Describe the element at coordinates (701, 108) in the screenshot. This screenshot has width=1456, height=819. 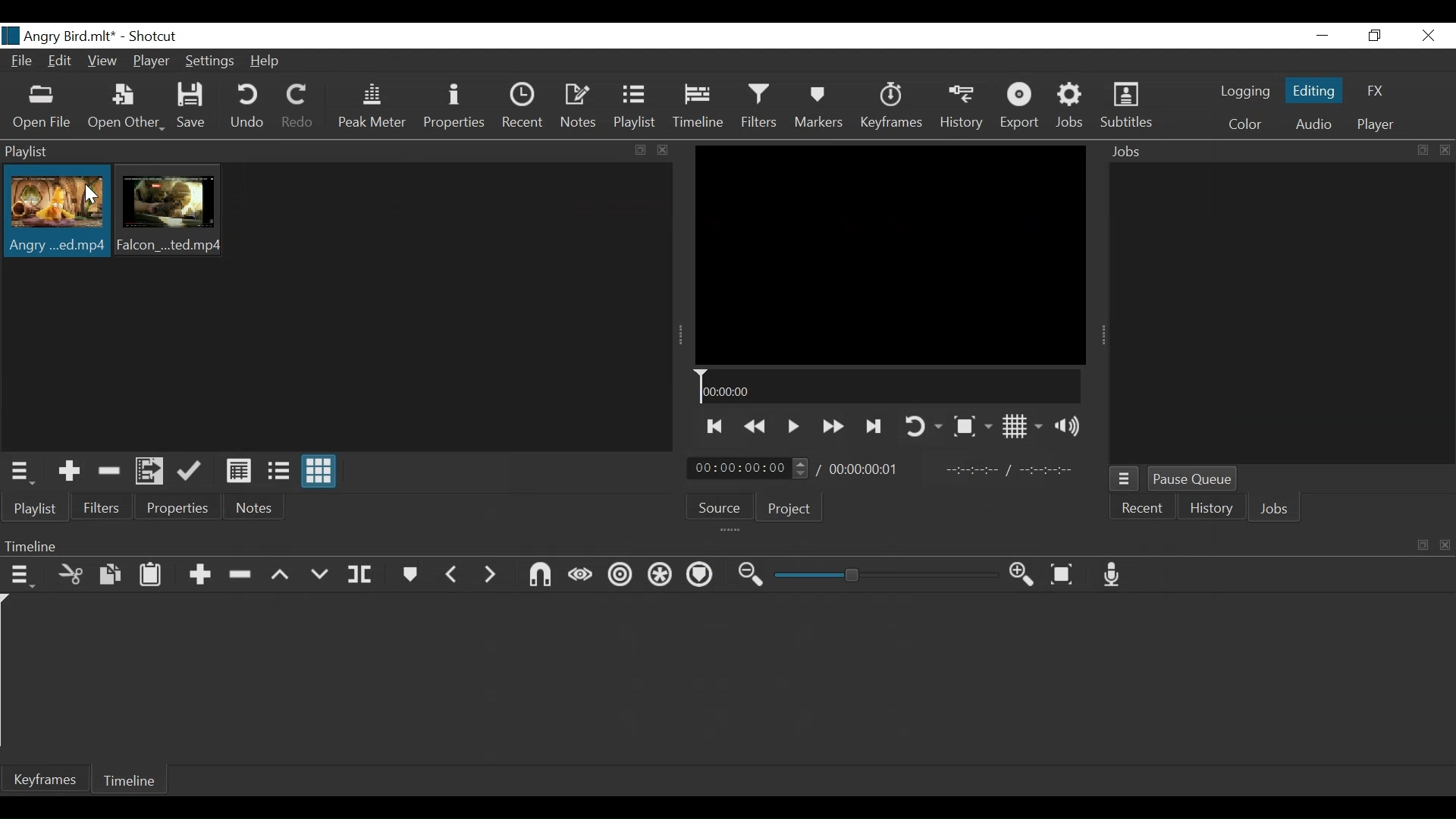
I see `Tiemeline` at that location.